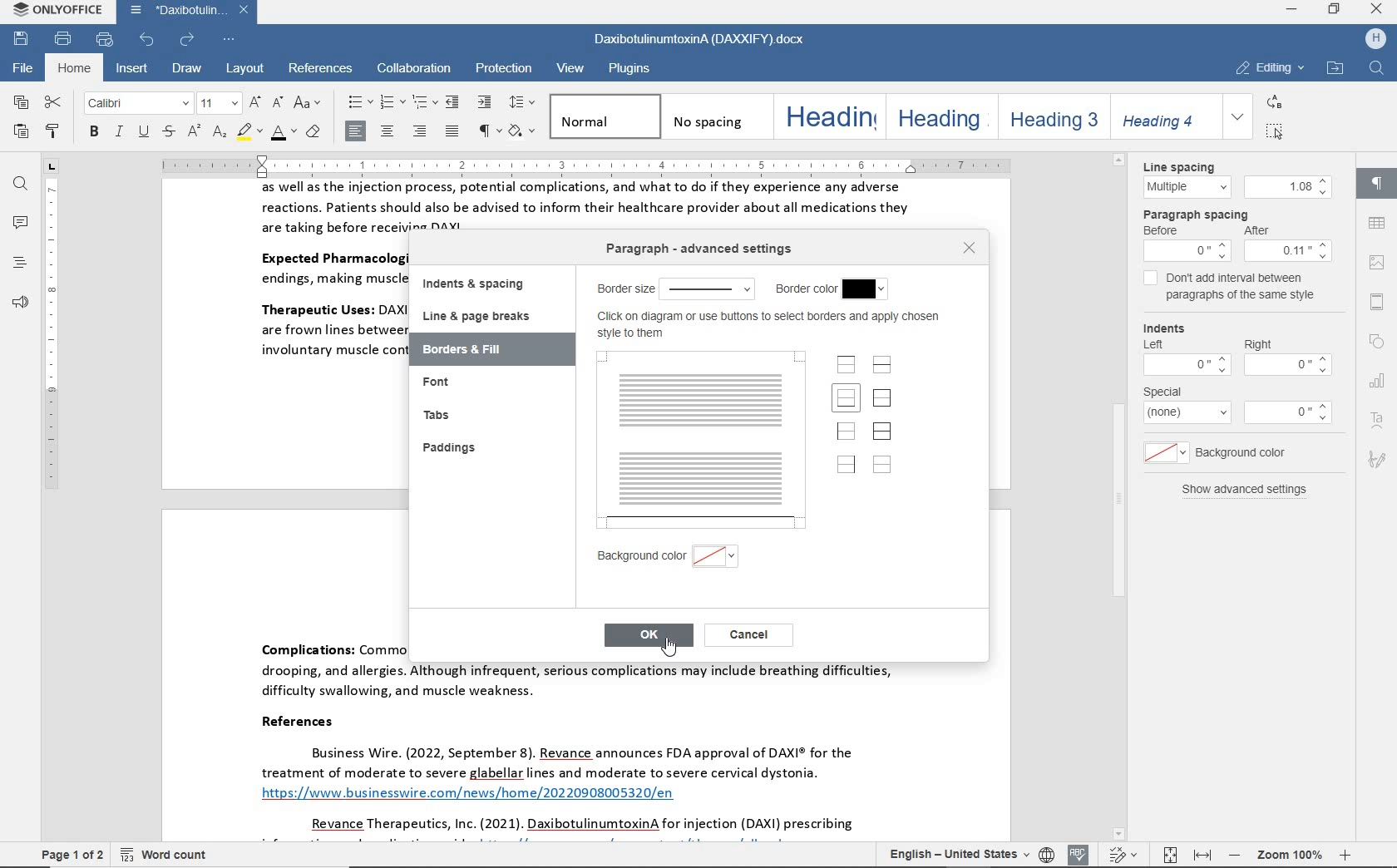 This screenshot has height=868, width=1397. Describe the element at coordinates (412, 70) in the screenshot. I see `collaboration` at that location.